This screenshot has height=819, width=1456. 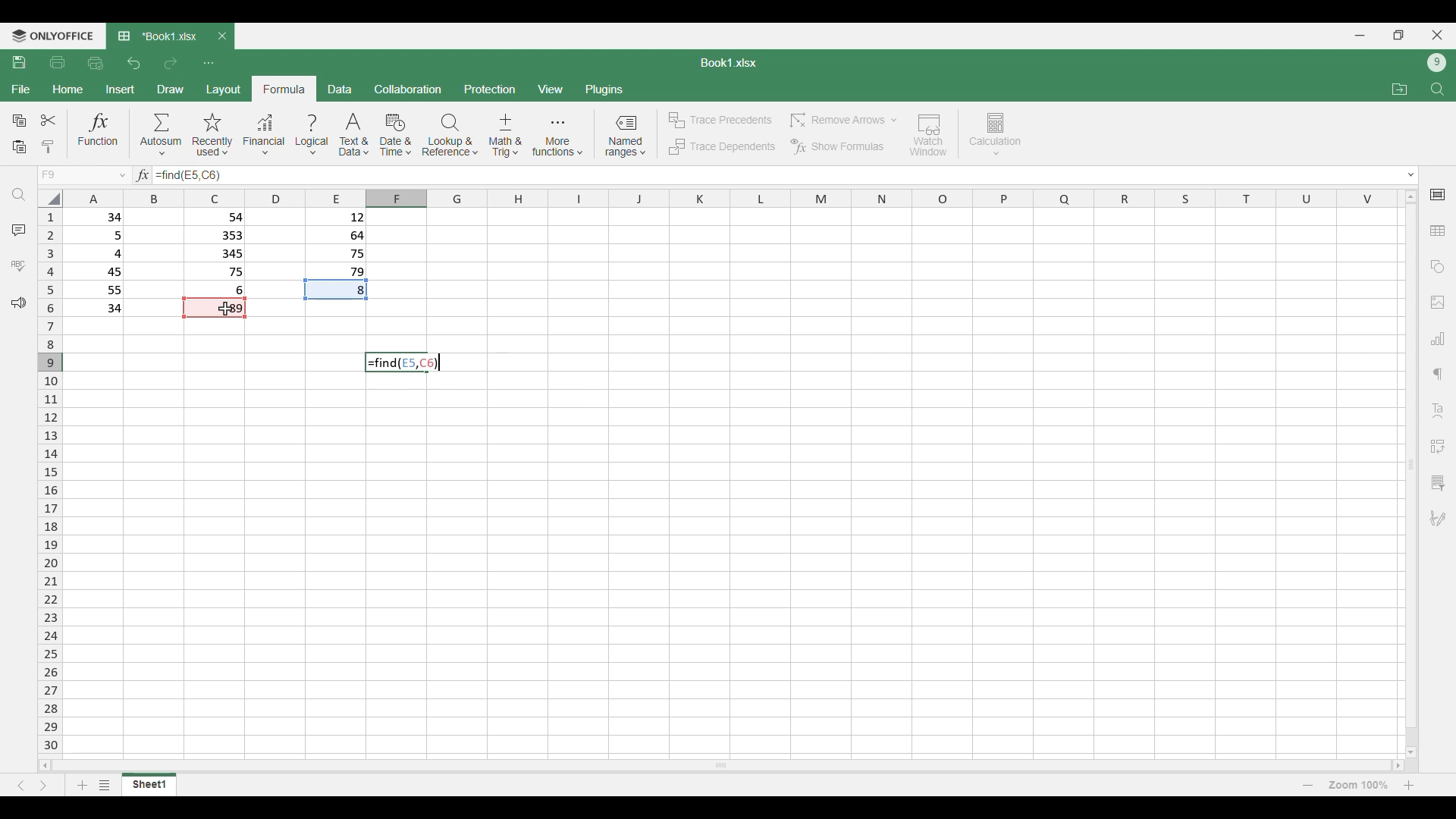 I want to click on Indicates columns, so click(x=726, y=199).